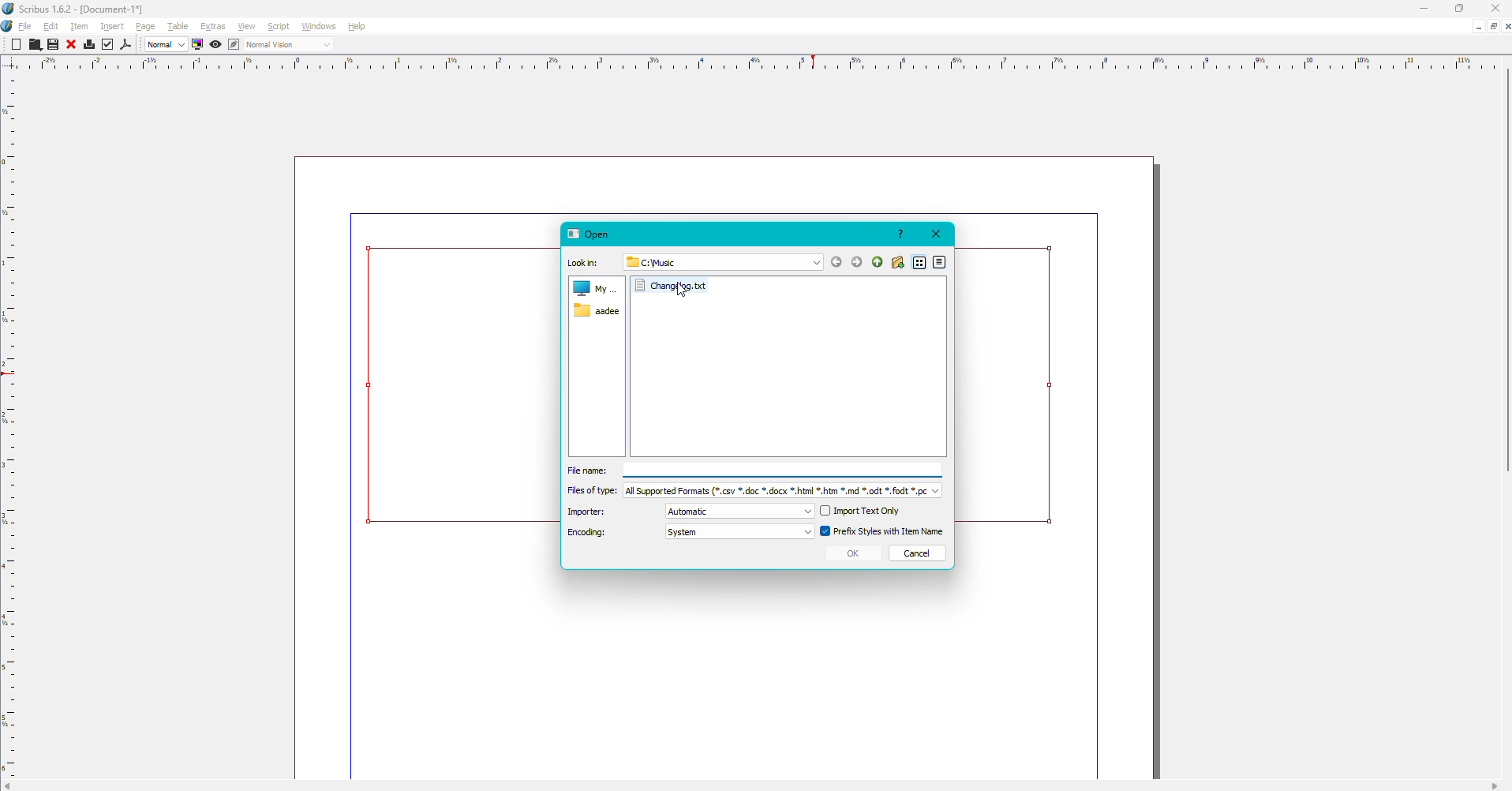 Image resolution: width=1512 pixels, height=791 pixels. Describe the element at coordinates (176, 27) in the screenshot. I see `Table` at that location.